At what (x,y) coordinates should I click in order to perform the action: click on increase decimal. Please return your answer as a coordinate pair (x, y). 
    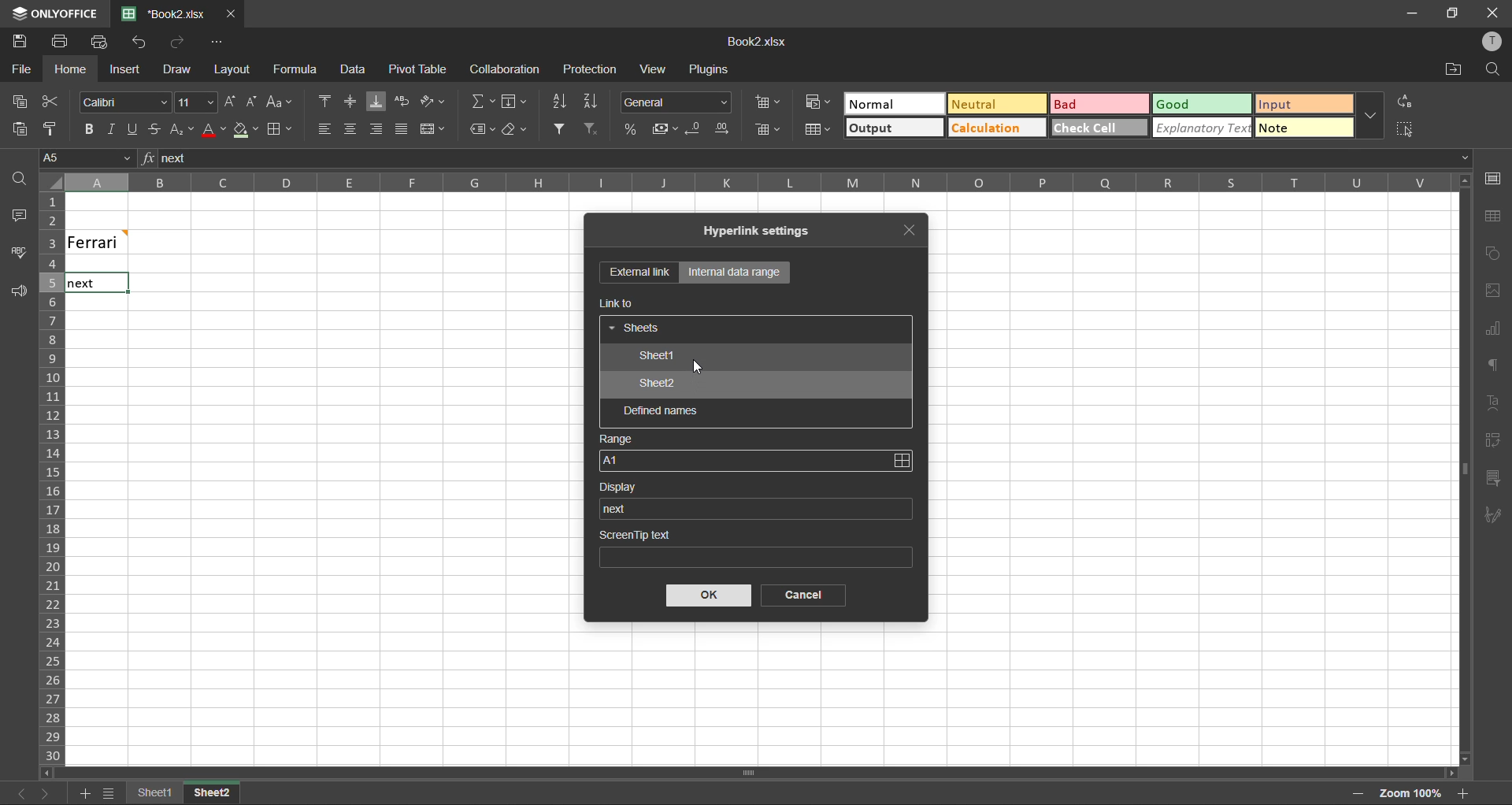
    Looking at the image, I should click on (728, 130).